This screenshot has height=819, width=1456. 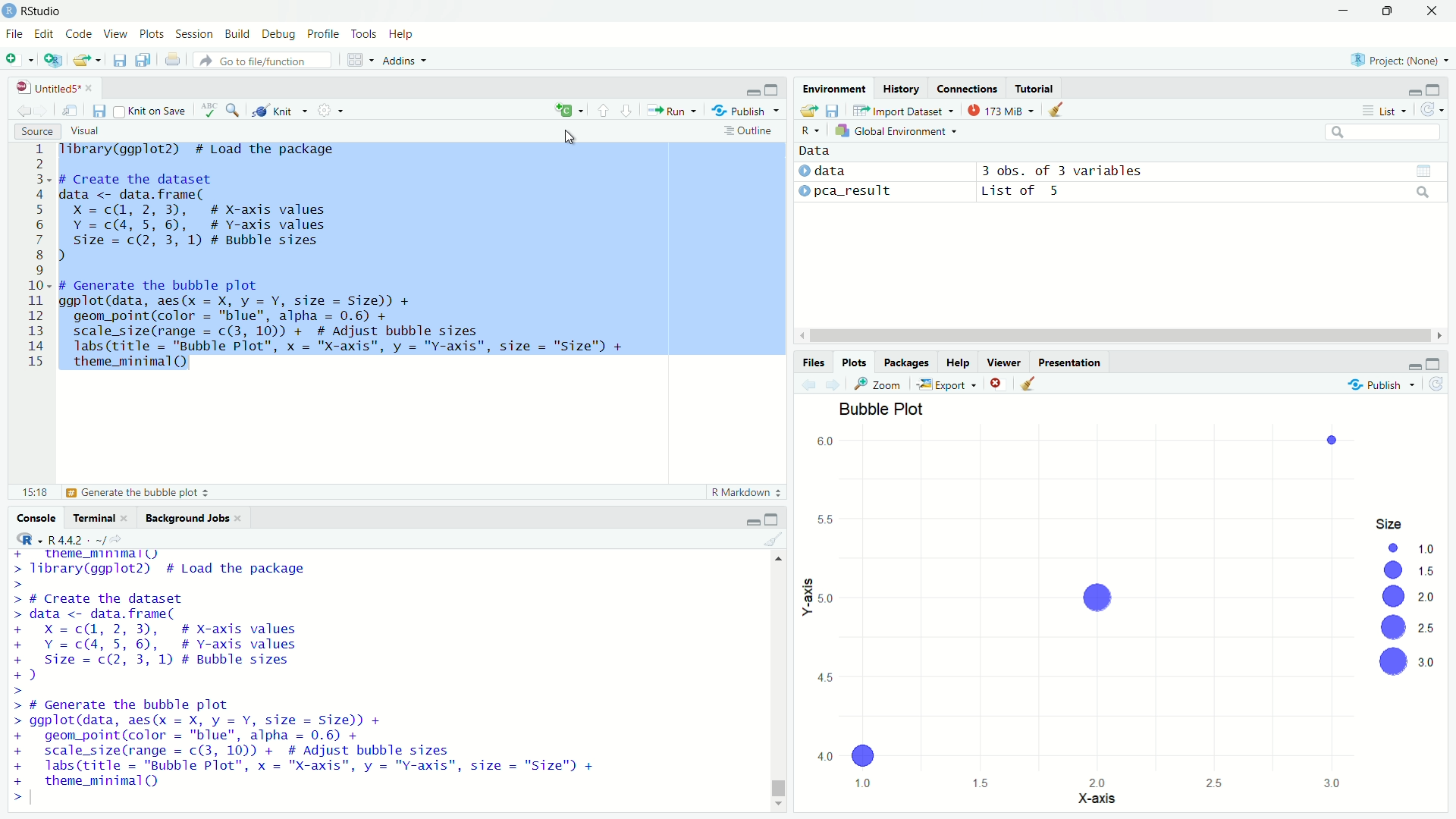 I want to click on tutorial, so click(x=1036, y=88).